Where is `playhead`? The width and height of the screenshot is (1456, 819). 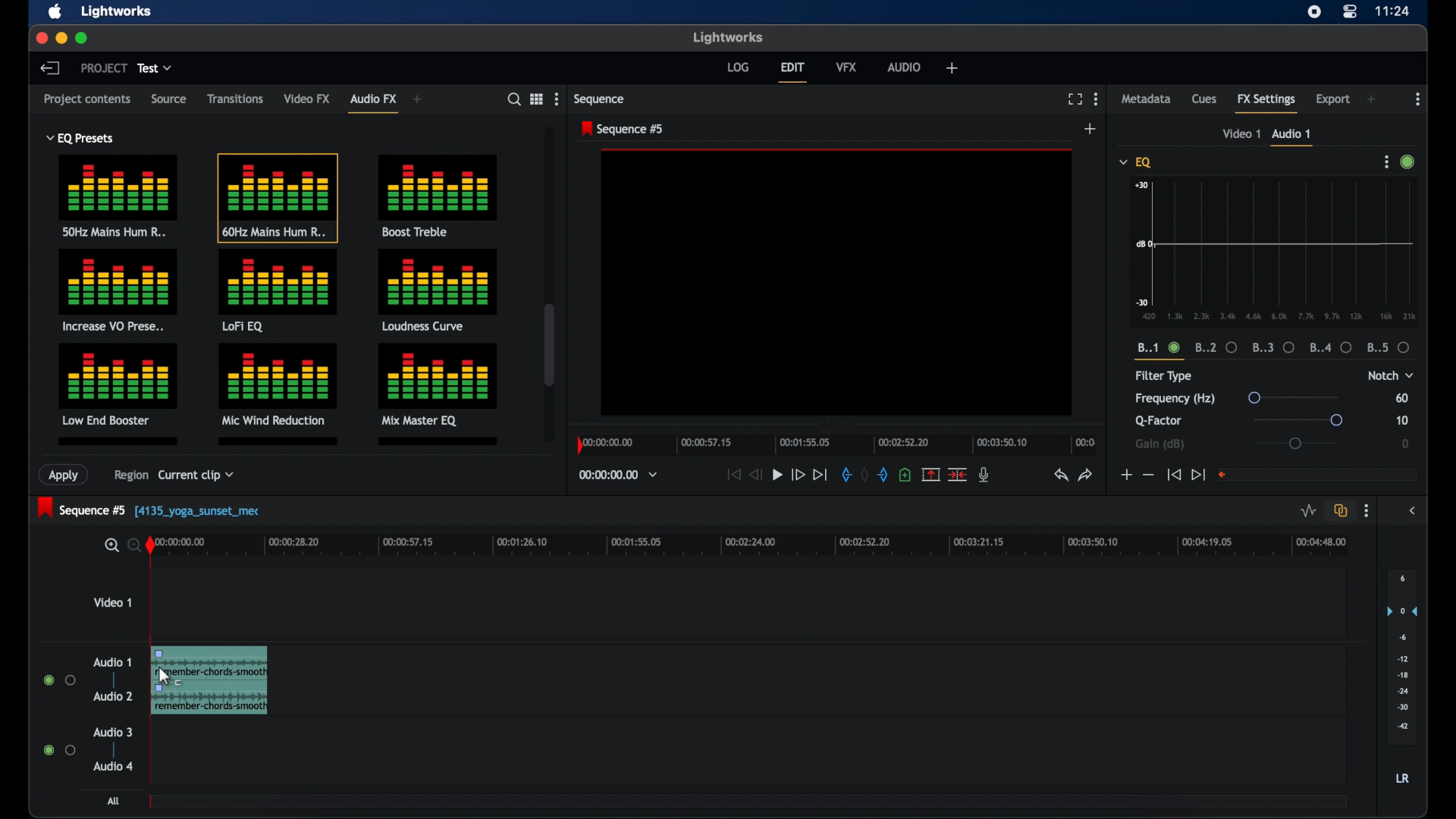
playhead is located at coordinates (150, 544).